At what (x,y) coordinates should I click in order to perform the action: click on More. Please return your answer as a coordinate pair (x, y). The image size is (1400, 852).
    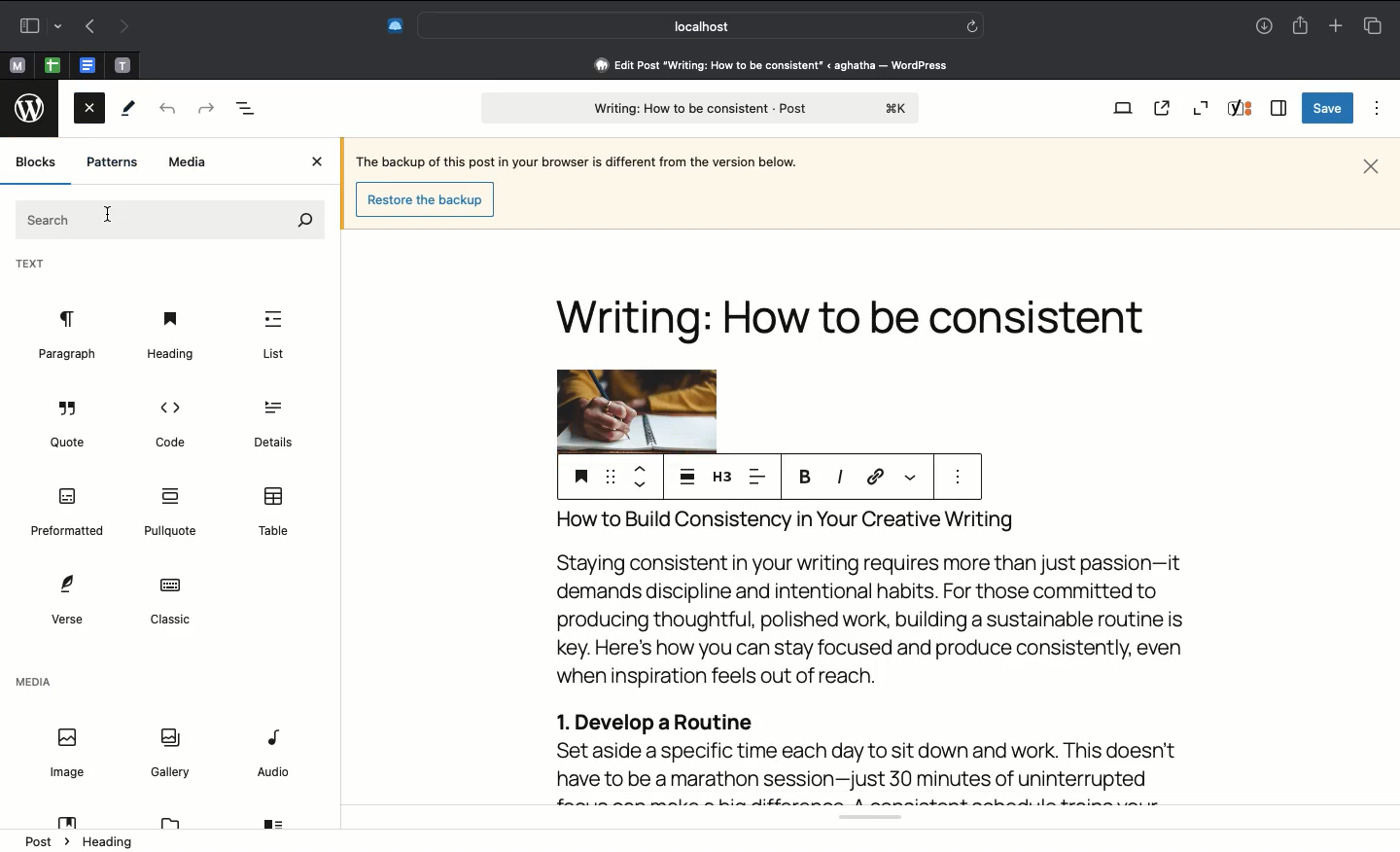
    Looking at the image, I should click on (912, 478).